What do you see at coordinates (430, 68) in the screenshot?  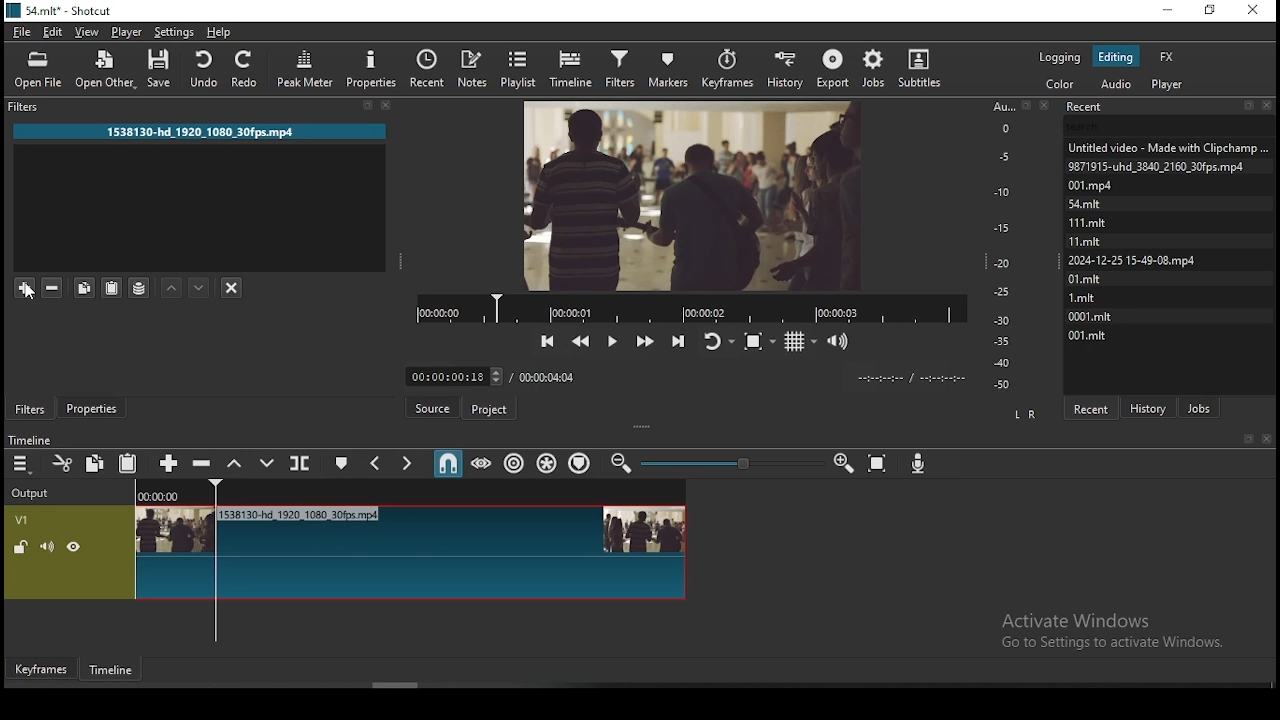 I see `recent` at bounding box center [430, 68].